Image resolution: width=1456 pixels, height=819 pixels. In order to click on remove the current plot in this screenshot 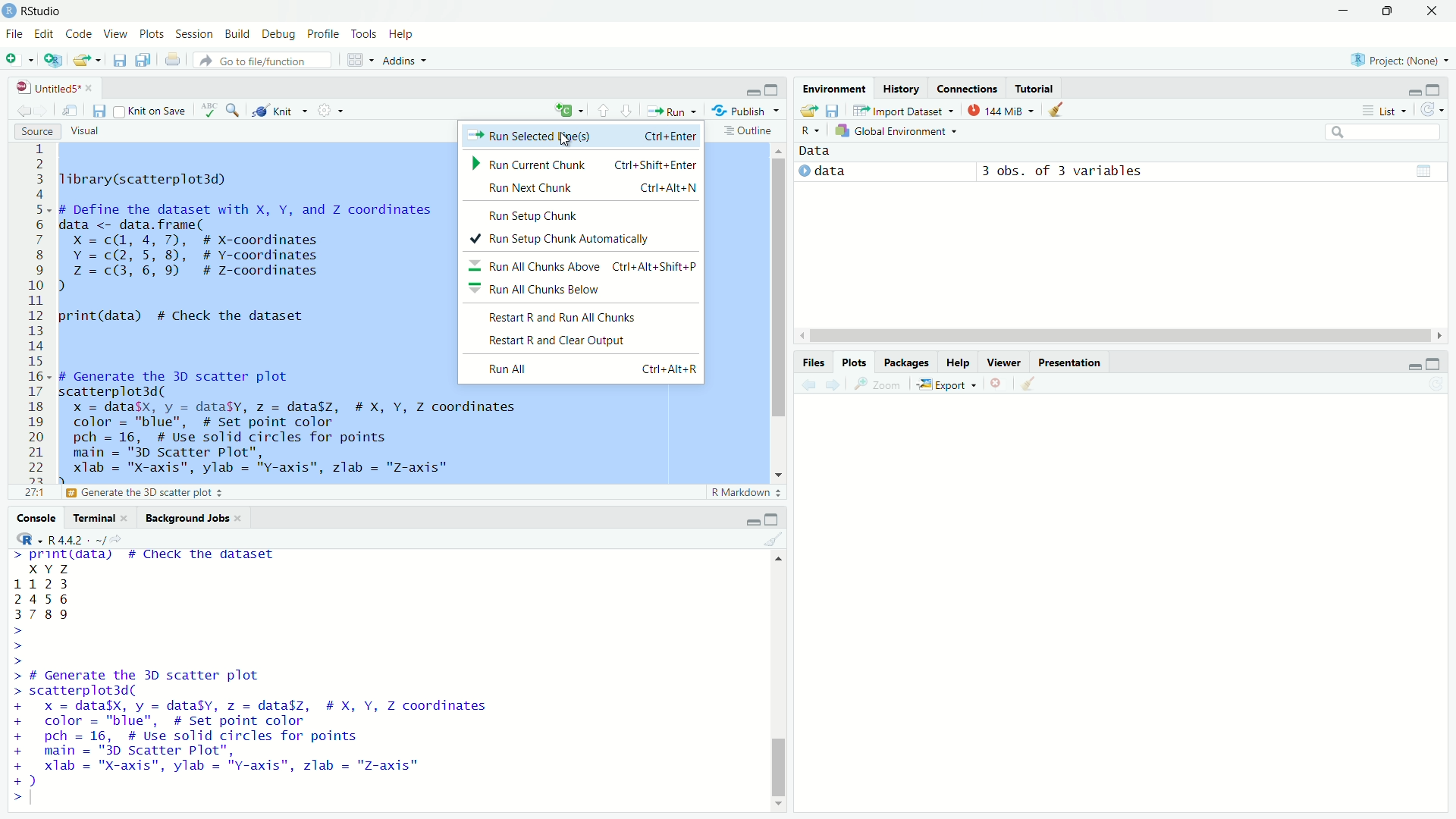, I will do `click(995, 384)`.